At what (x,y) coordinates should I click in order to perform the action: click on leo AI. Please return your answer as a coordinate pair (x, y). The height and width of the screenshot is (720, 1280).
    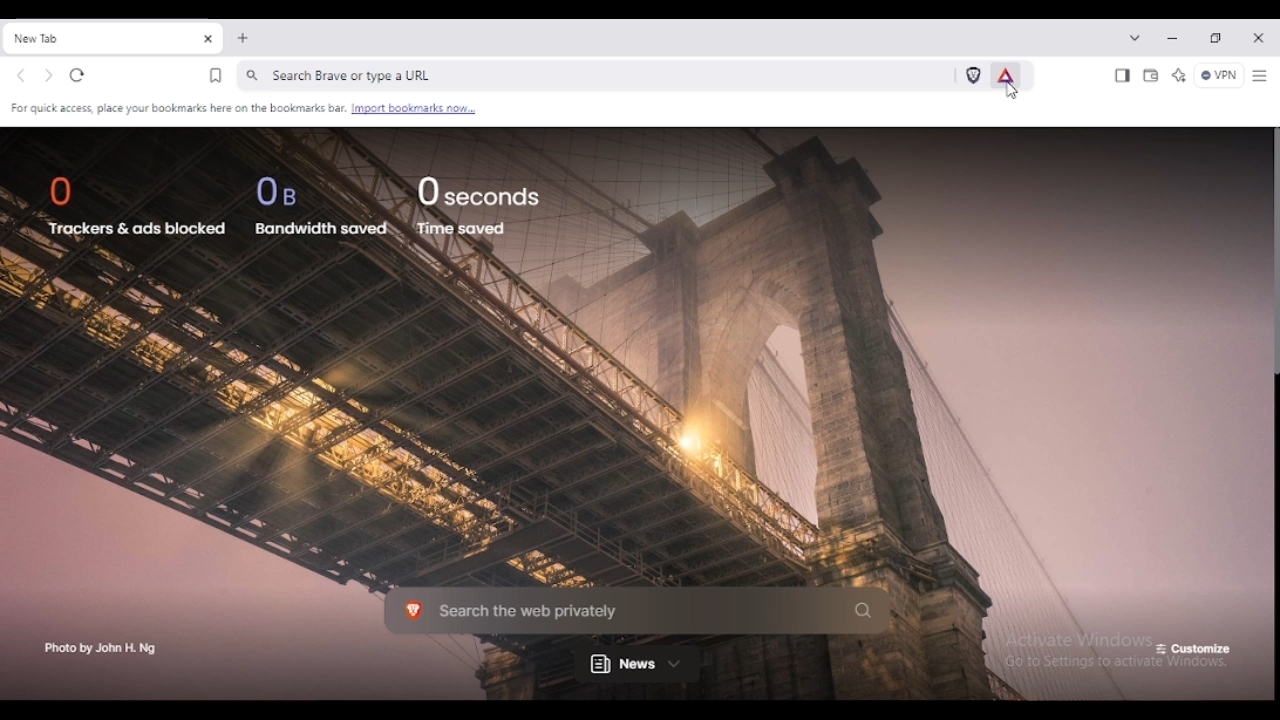
    Looking at the image, I should click on (1179, 75).